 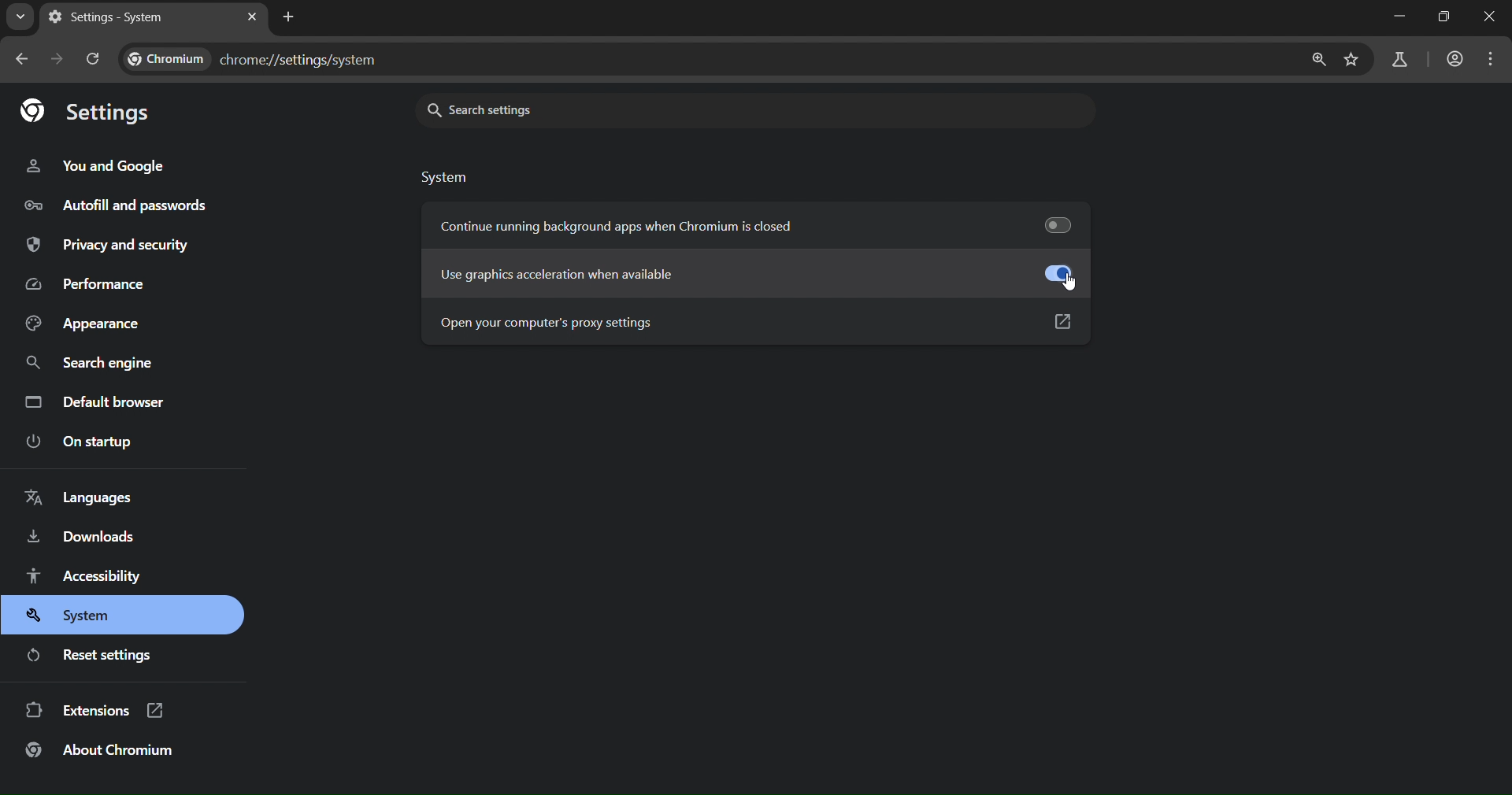 What do you see at coordinates (600, 111) in the screenshot?
I see `search settings` at bounding box center [600, 111].